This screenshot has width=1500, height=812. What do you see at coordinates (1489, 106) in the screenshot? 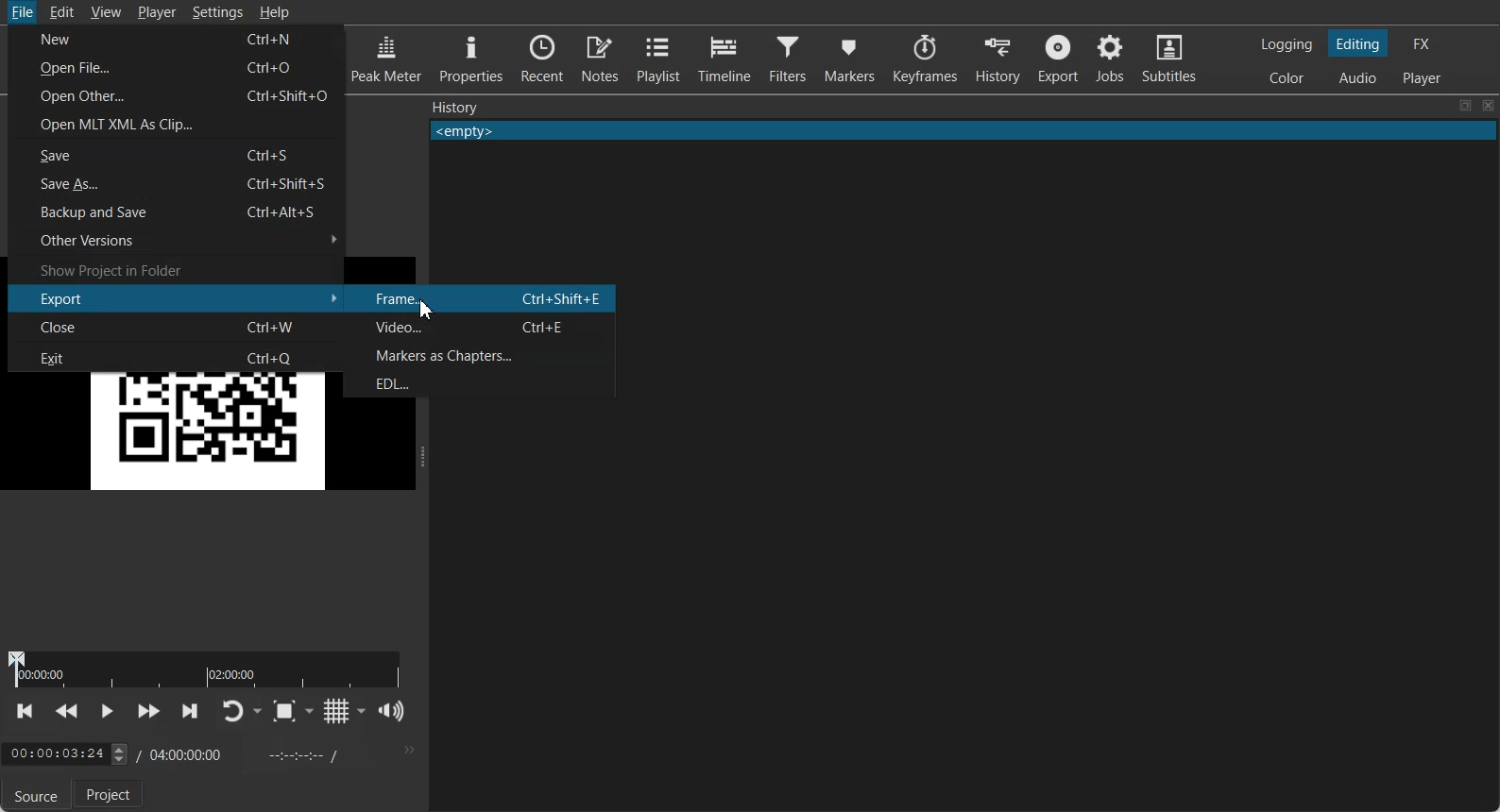
I see `Close` at bounding box center [1489, 106].